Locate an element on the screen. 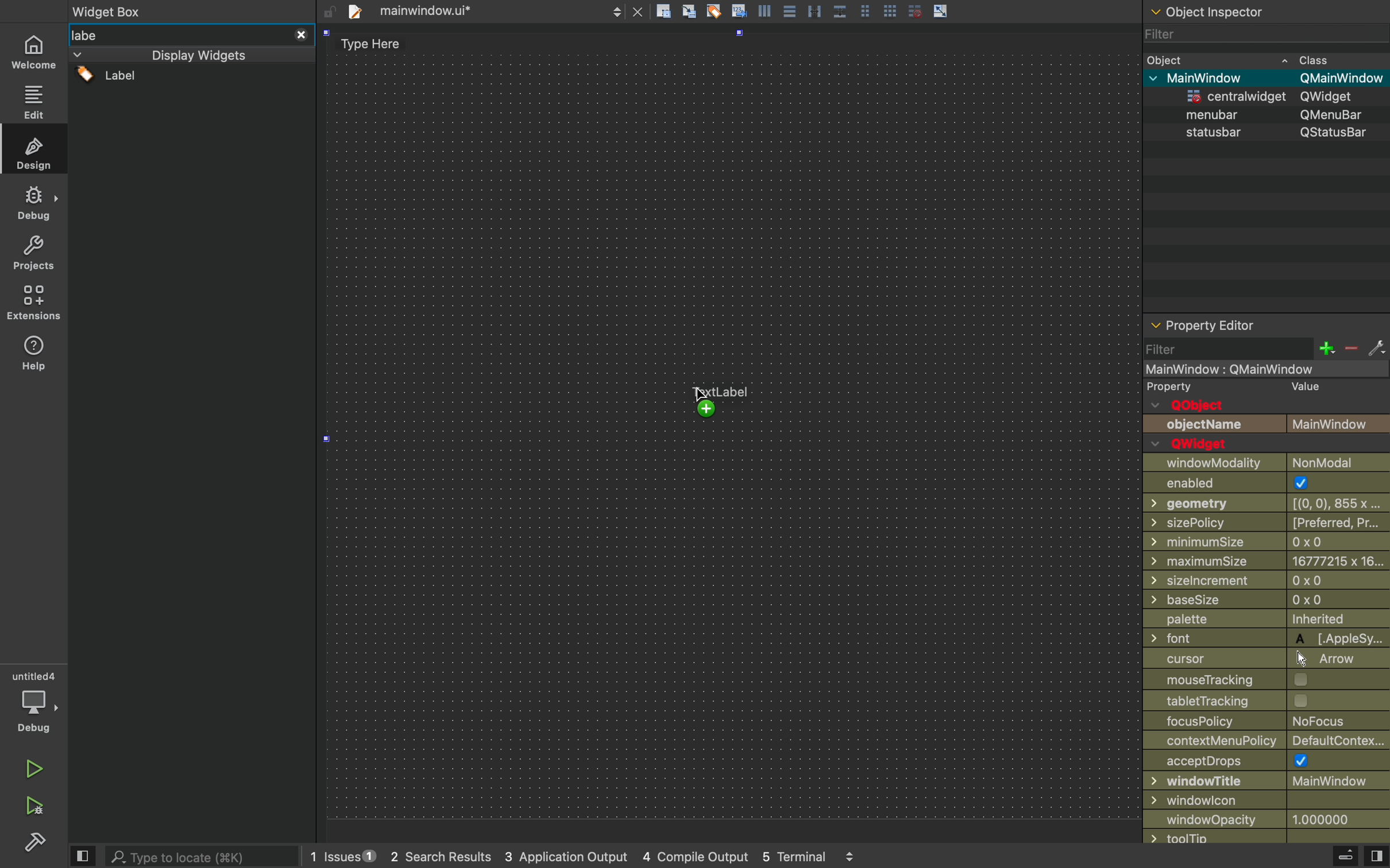  clear is located at coordinates (714, 11).